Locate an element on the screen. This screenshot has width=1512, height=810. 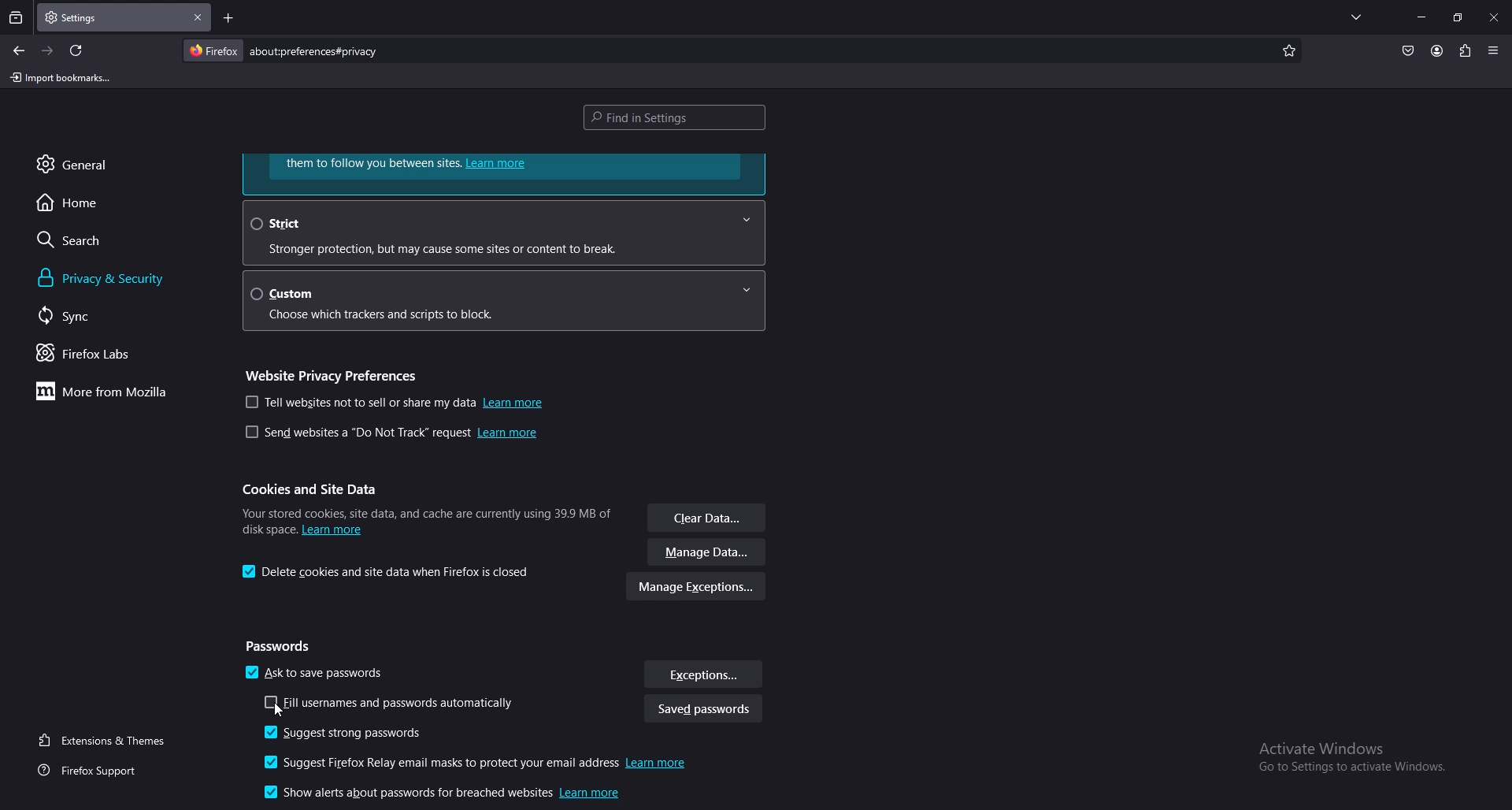
add tab is located at coordinates (227, 17).